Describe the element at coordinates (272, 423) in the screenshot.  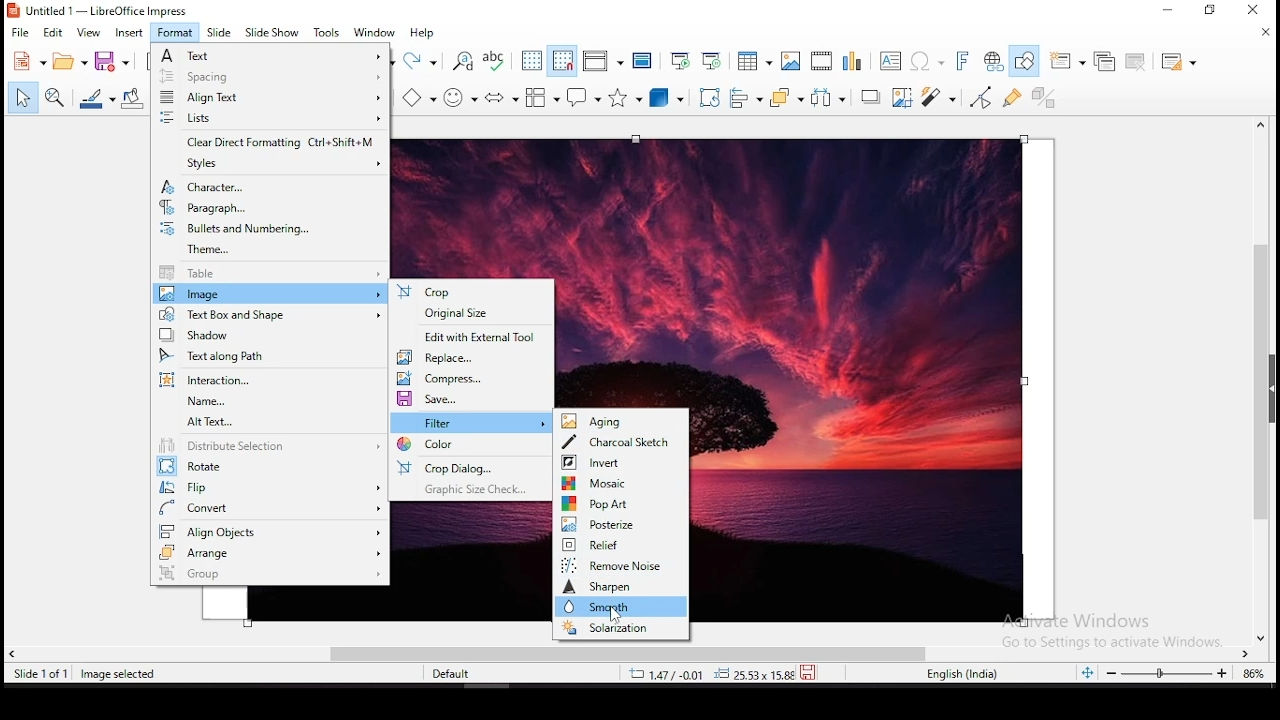
I see `alt text` at that location.